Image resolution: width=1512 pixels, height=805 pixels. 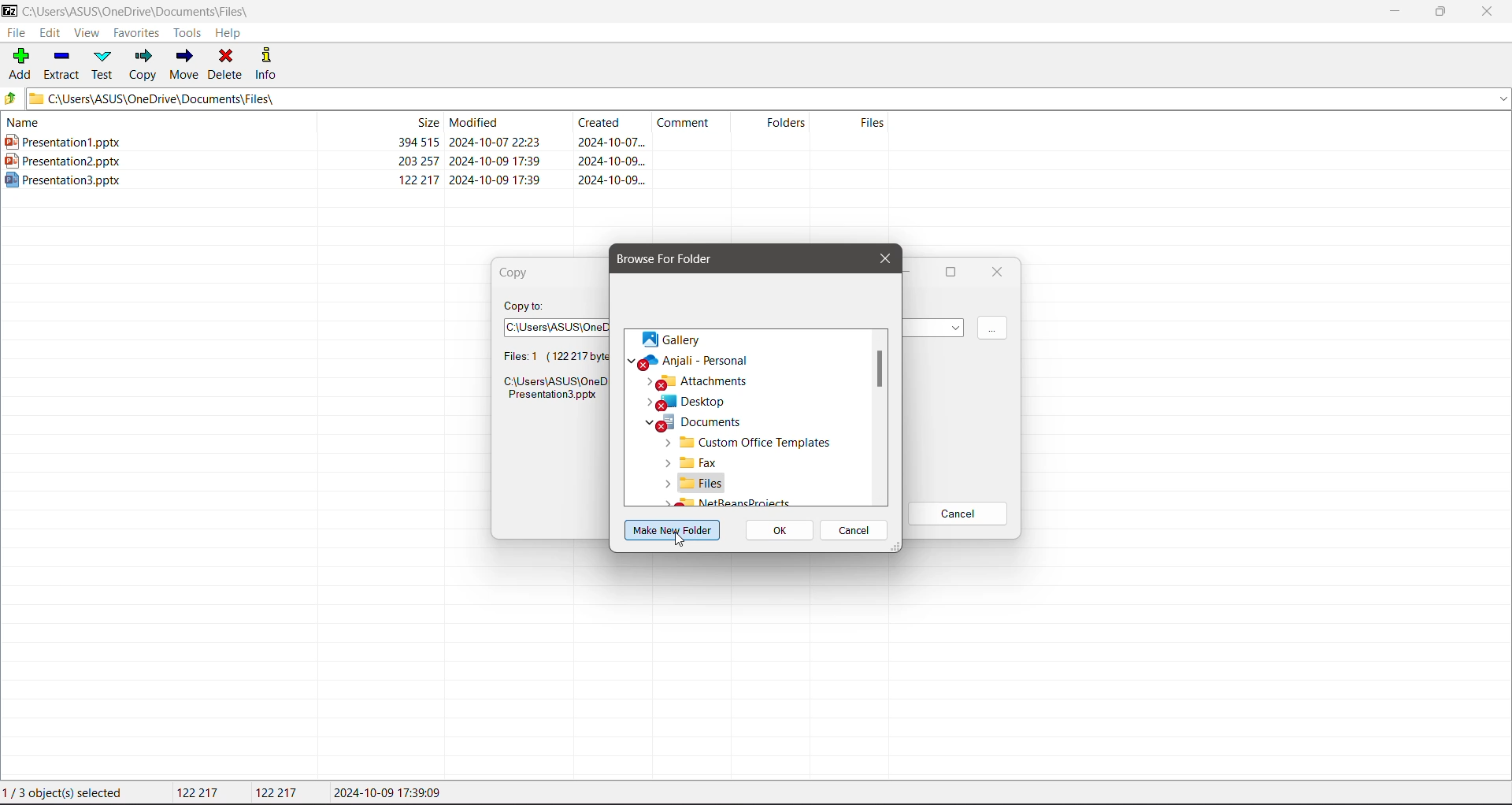 I want to click on Cancel, so click(x=856, y=532).